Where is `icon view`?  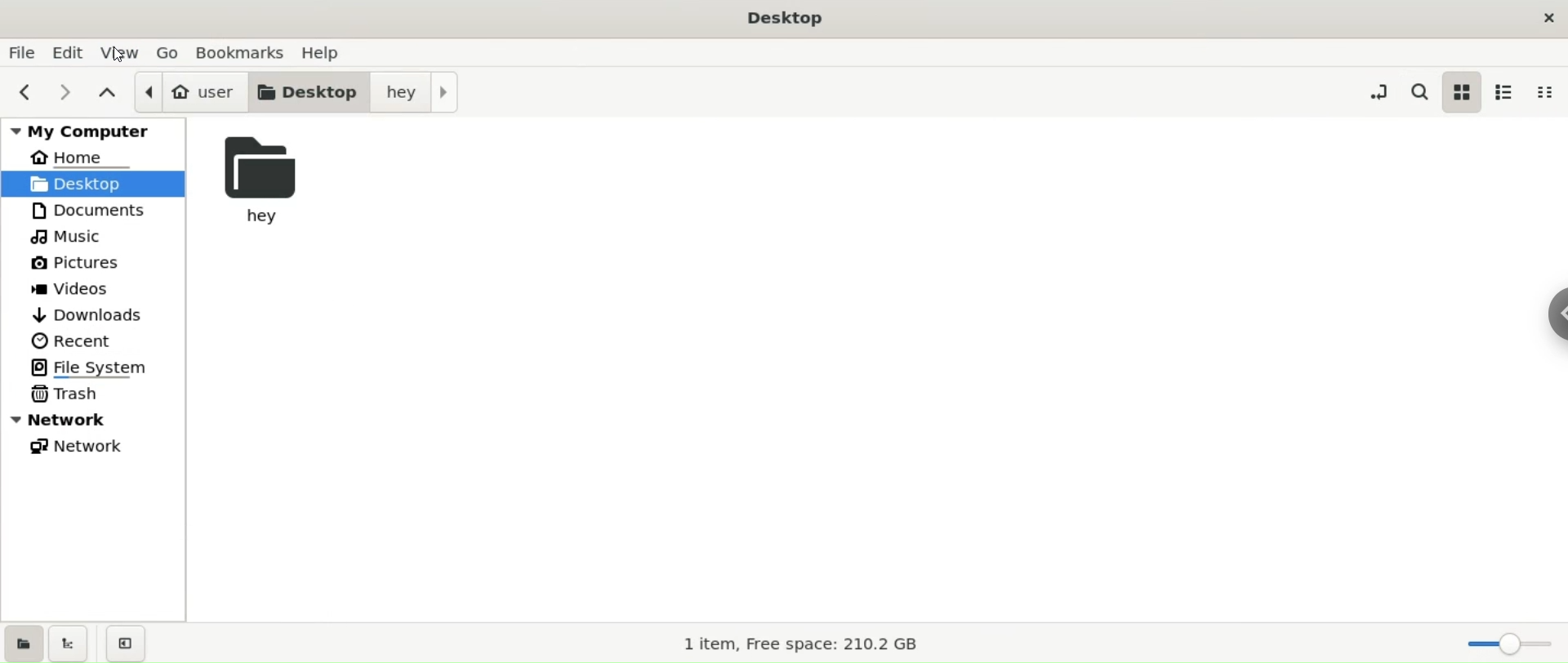
icon view is located at coordinates (1463, 90).